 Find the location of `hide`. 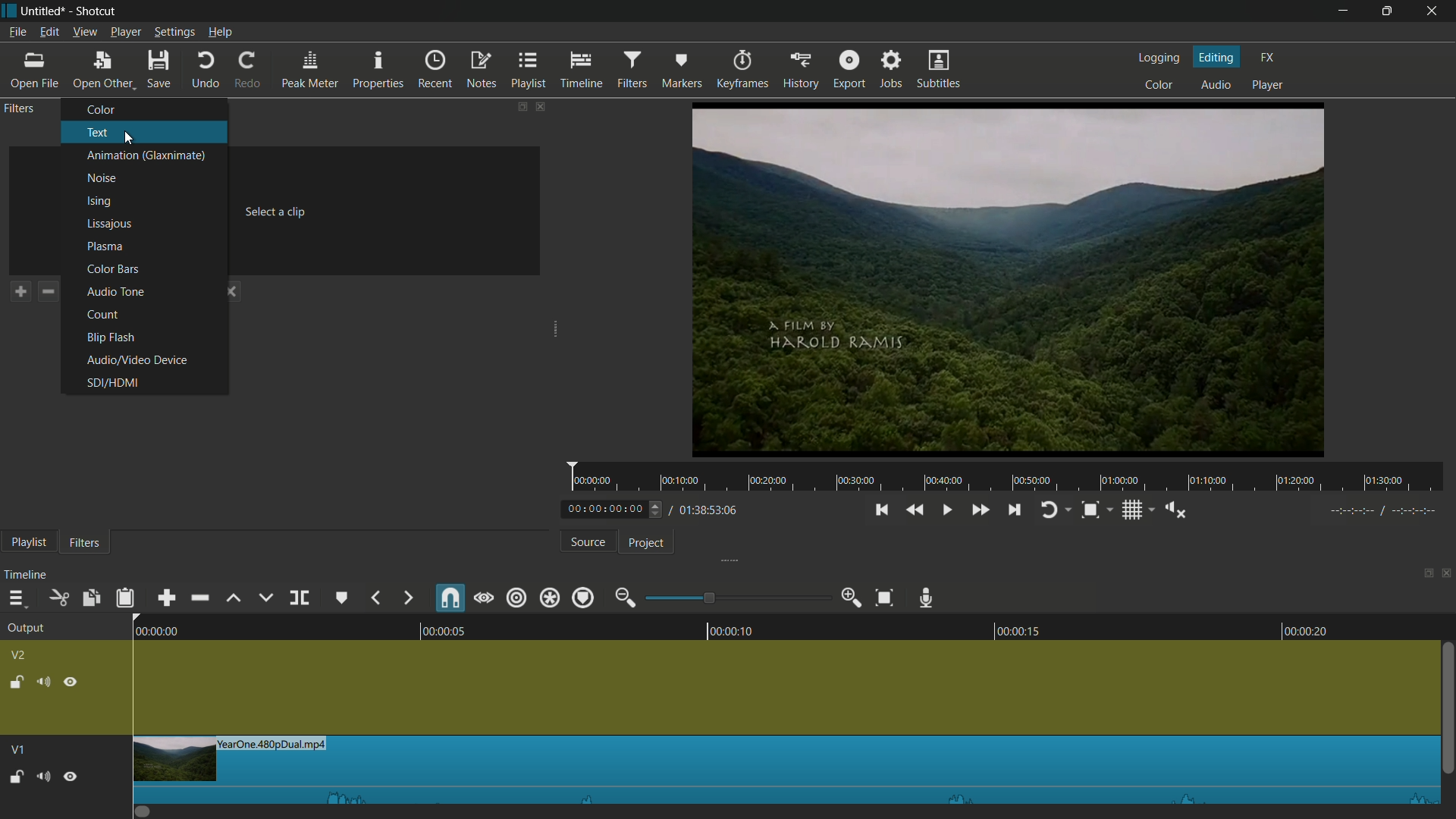

hide is located at coordinates (72, 680).